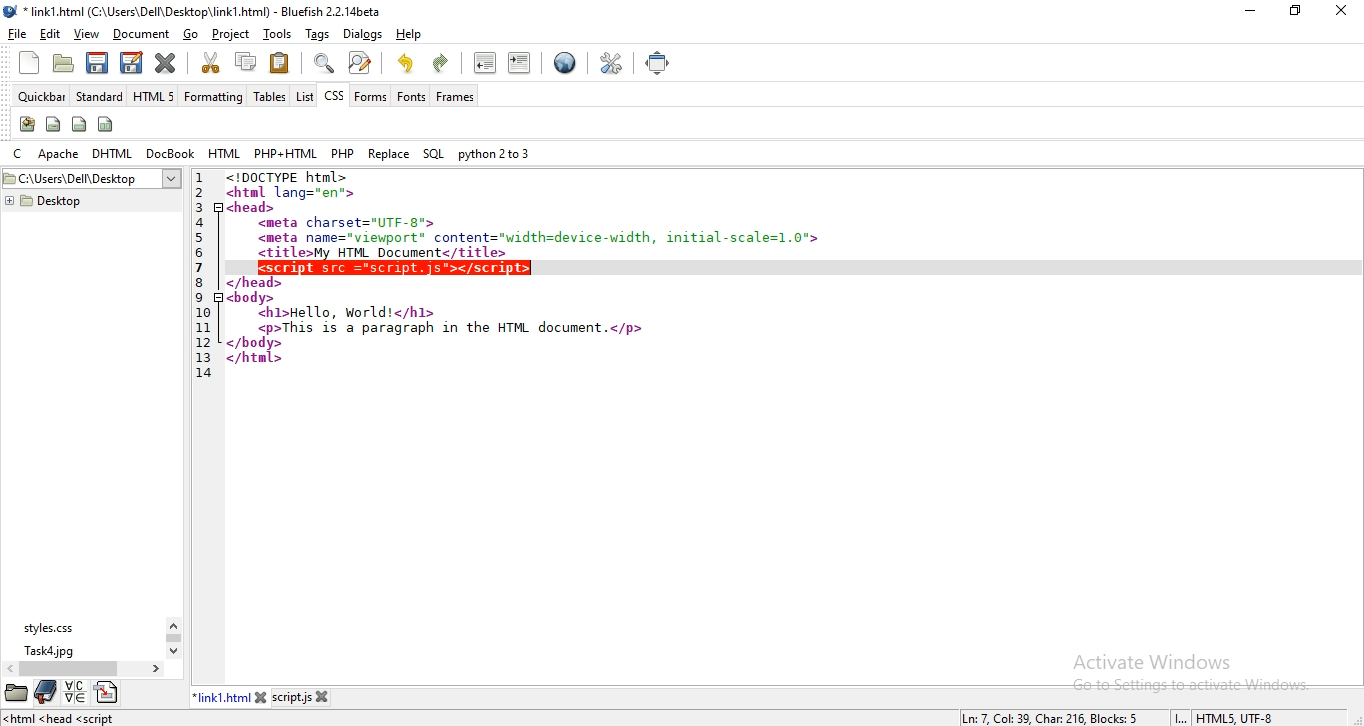  Describe the element at coordinates (49, 33) in the screenshot. I see `edit` at that location.